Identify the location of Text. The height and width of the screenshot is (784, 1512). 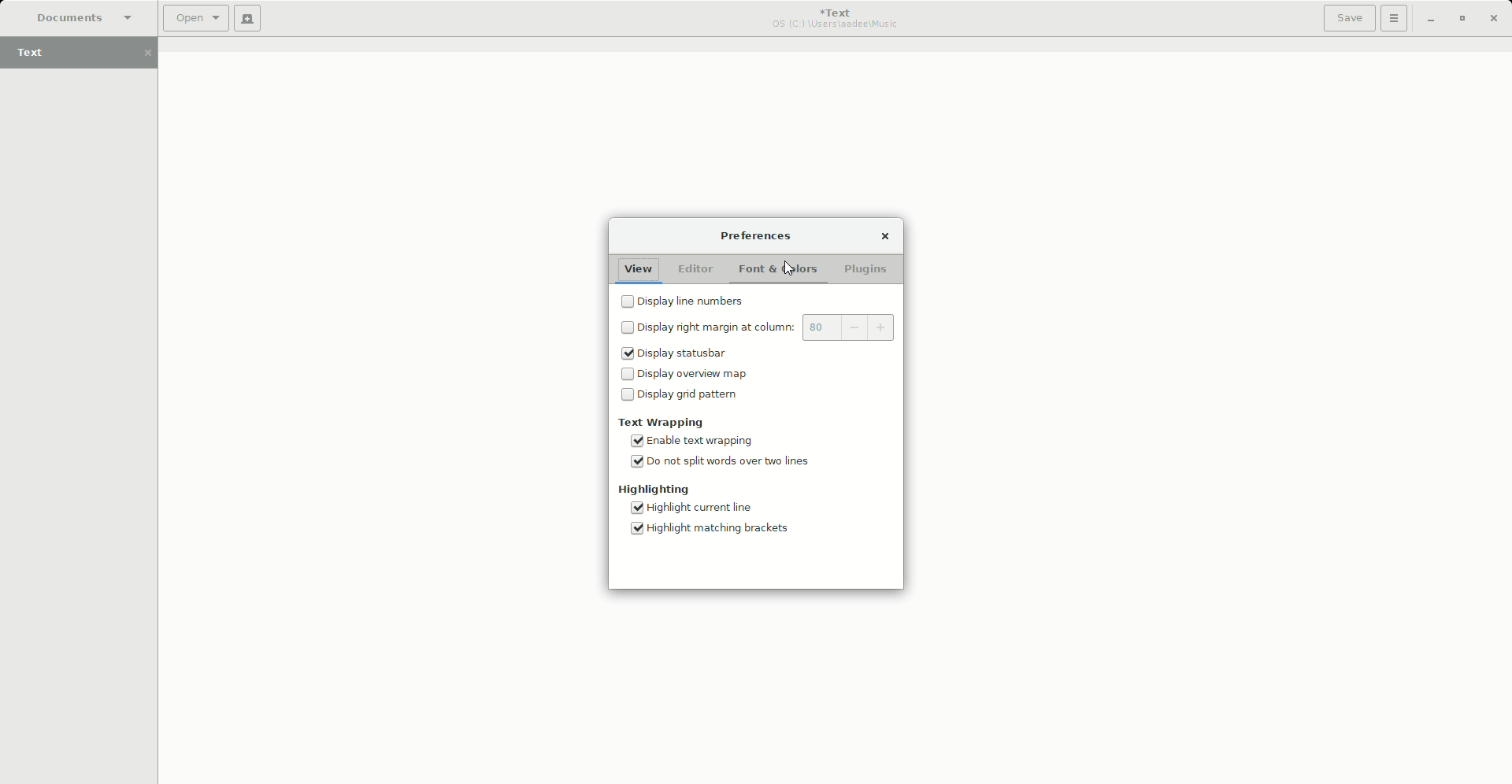
(85, 54).